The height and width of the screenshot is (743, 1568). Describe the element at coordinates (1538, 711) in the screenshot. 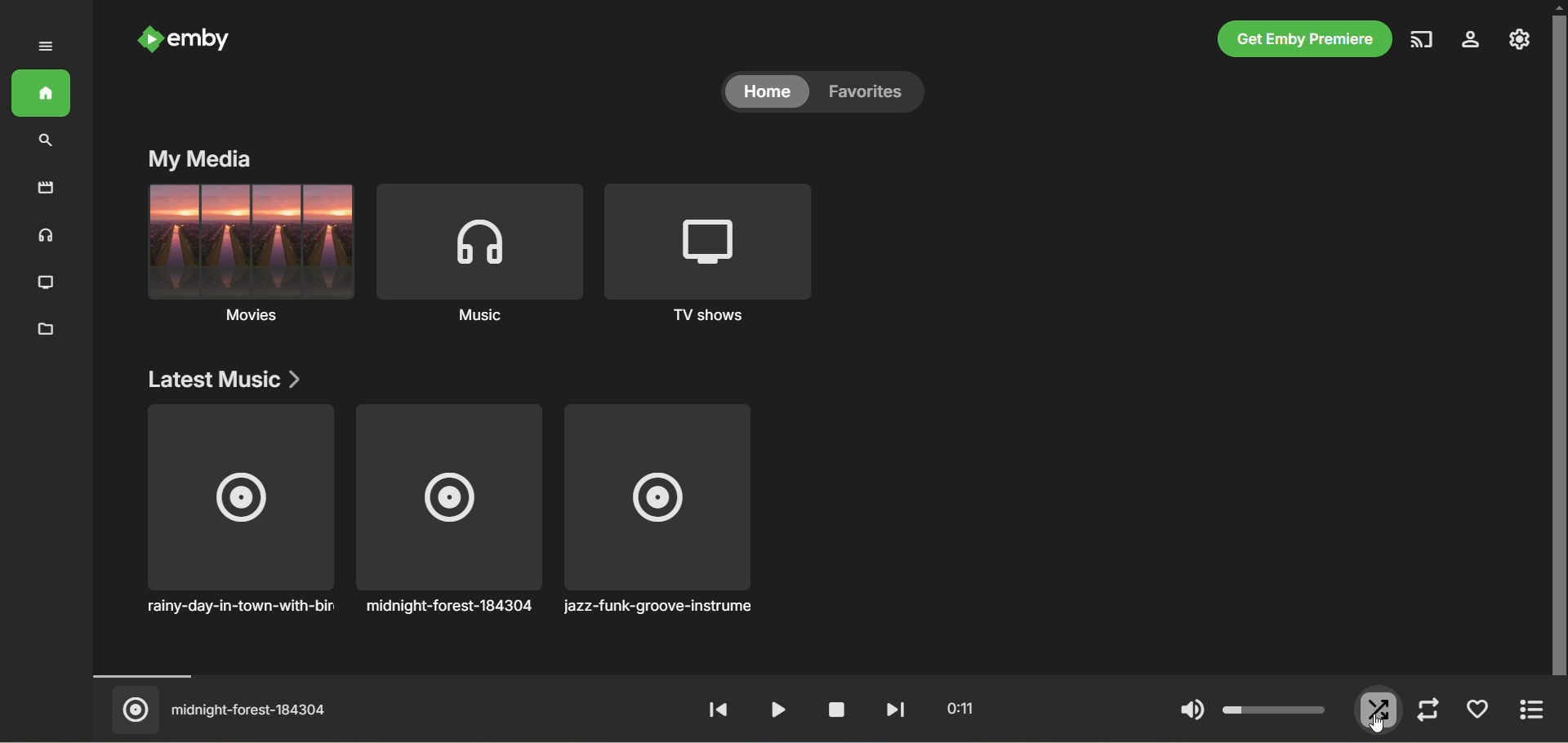

I see `options` at that location.